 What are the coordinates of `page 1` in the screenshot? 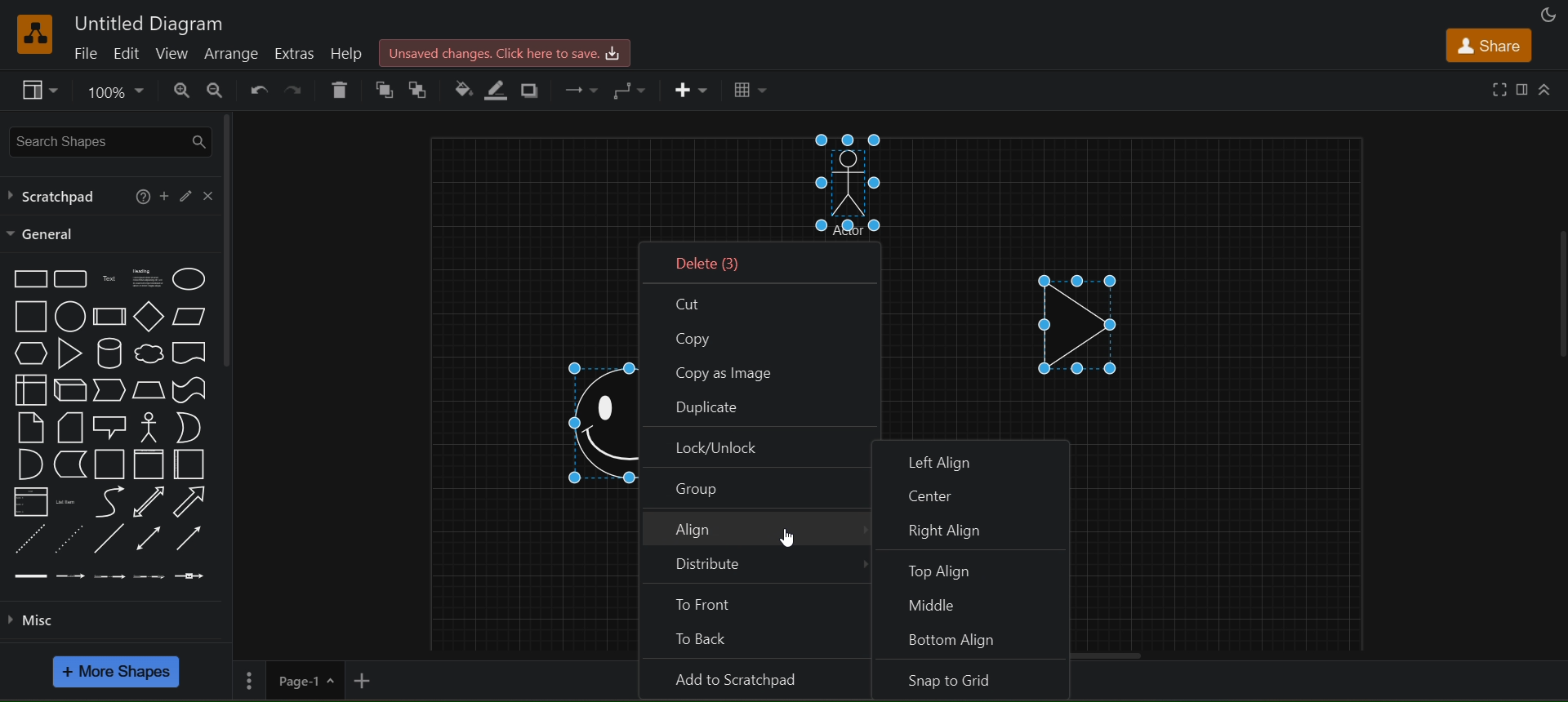 It's located at (287, 681).